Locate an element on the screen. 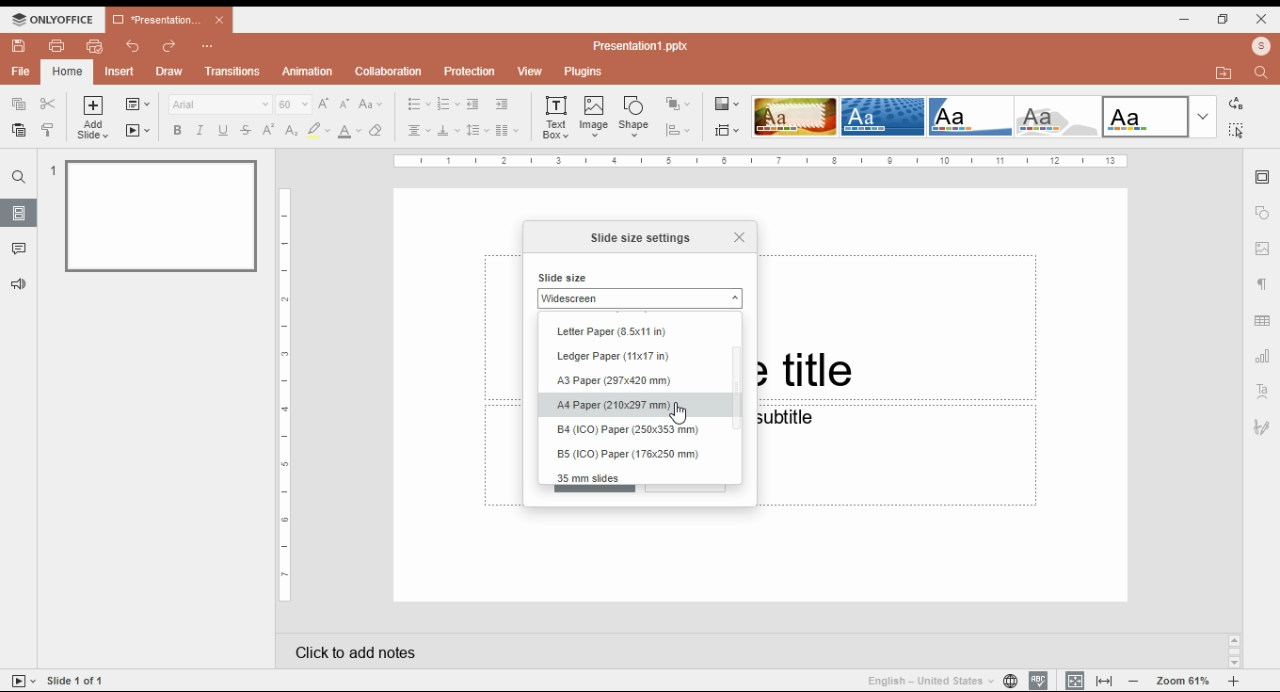 This screenshot has height=692, width=1280. fit to window is located at coordinates (1106, 680).